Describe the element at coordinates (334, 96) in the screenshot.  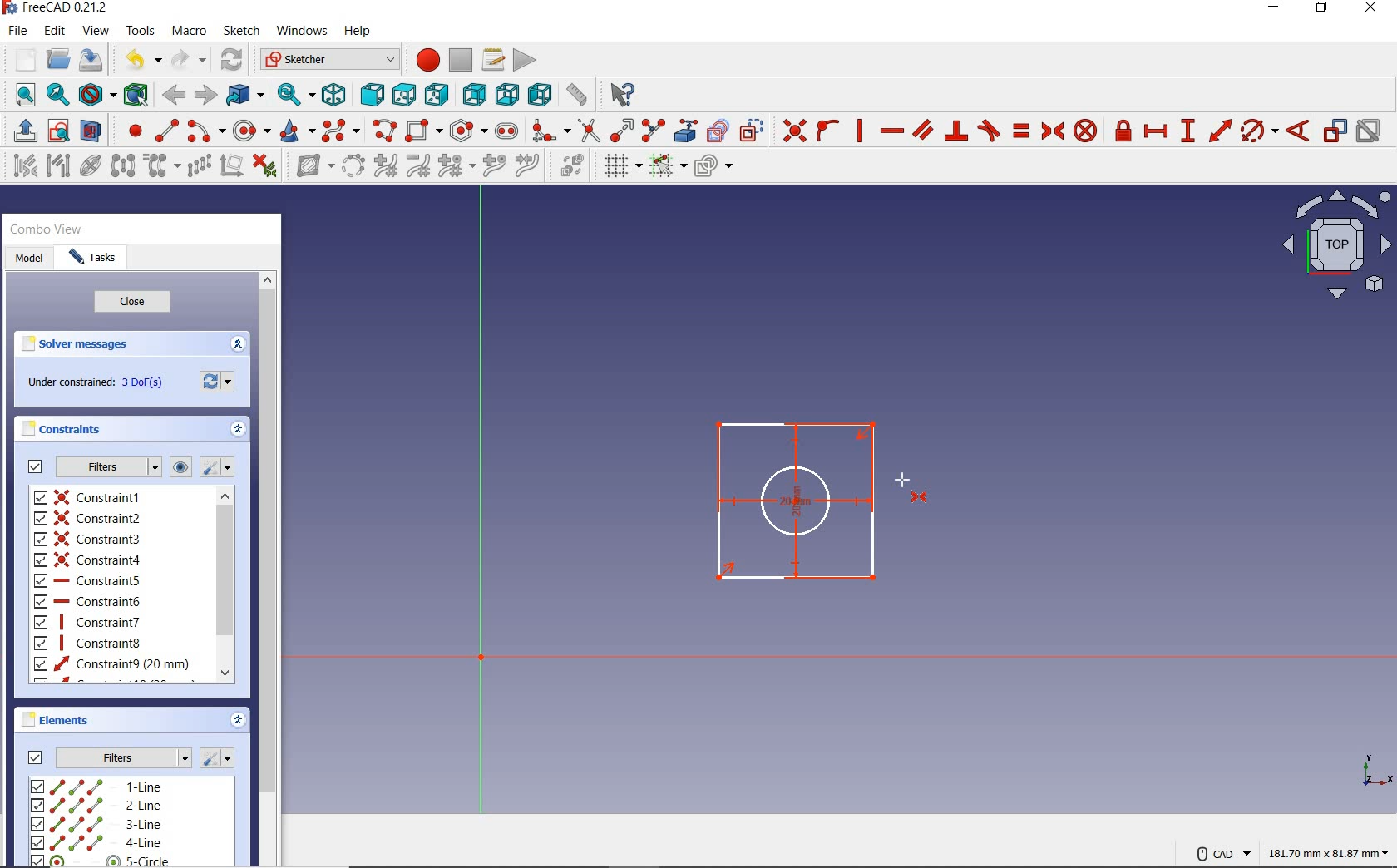
I see `isometric` at that location.